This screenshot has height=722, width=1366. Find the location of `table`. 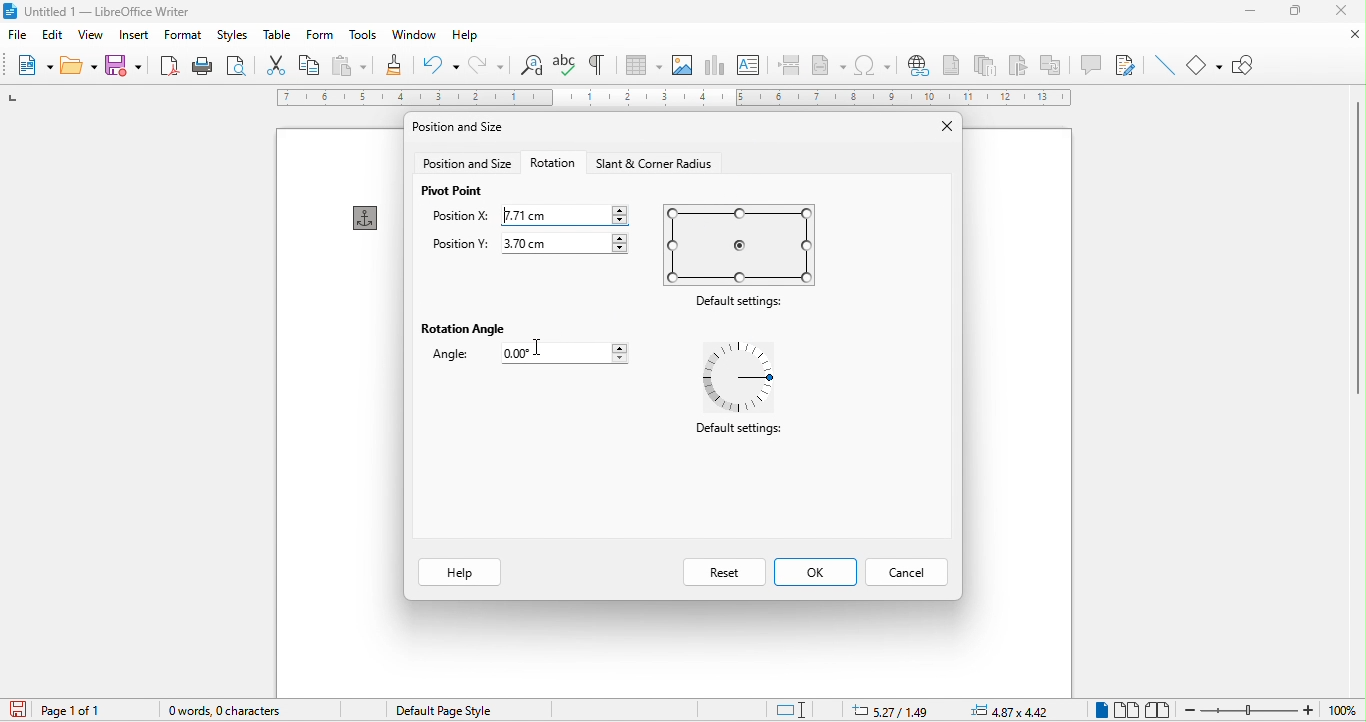

table is located at coordinates (643, 65).